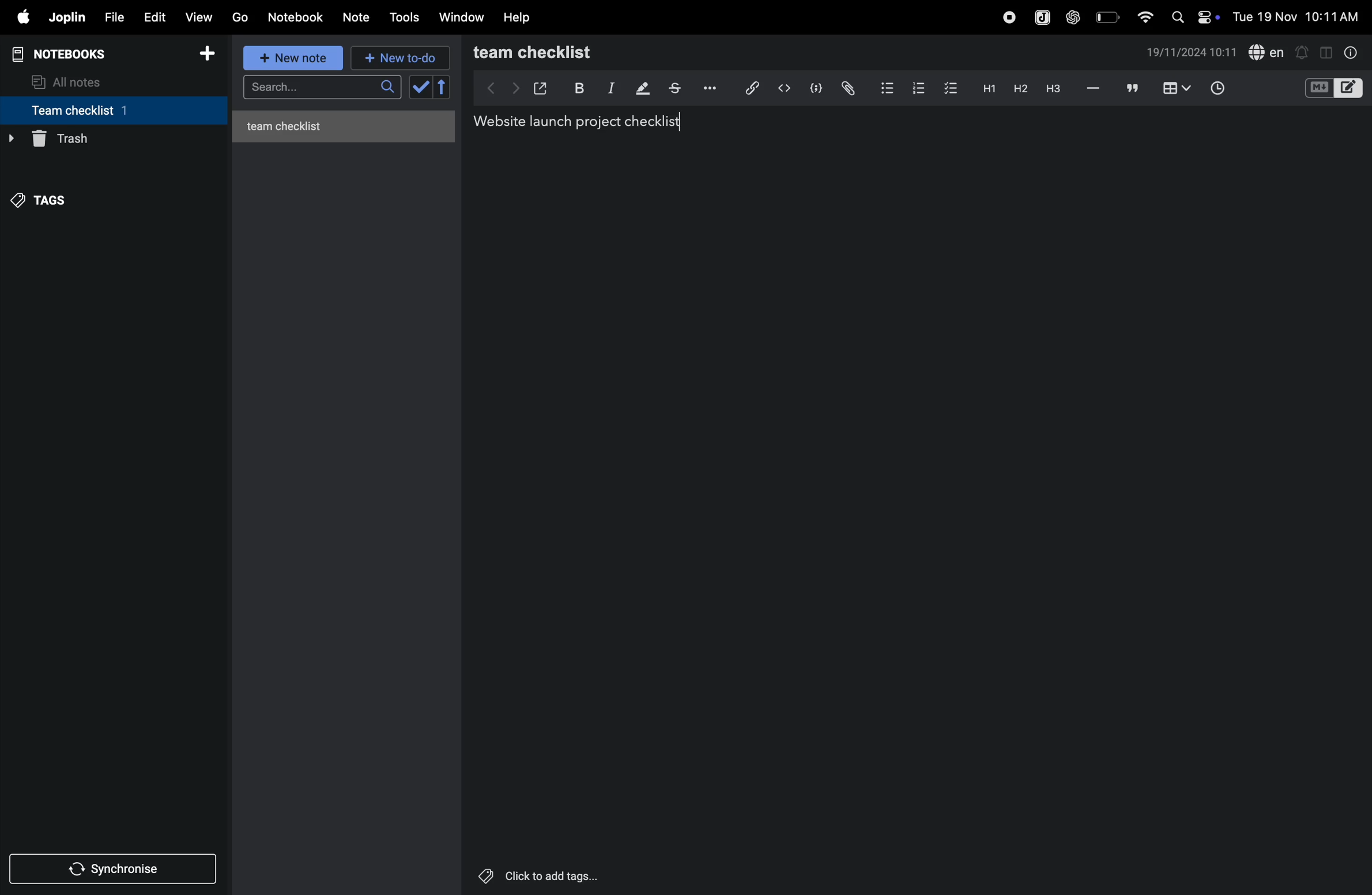 The image size is (1372, 895). I want to click on search , so click(320, 89).